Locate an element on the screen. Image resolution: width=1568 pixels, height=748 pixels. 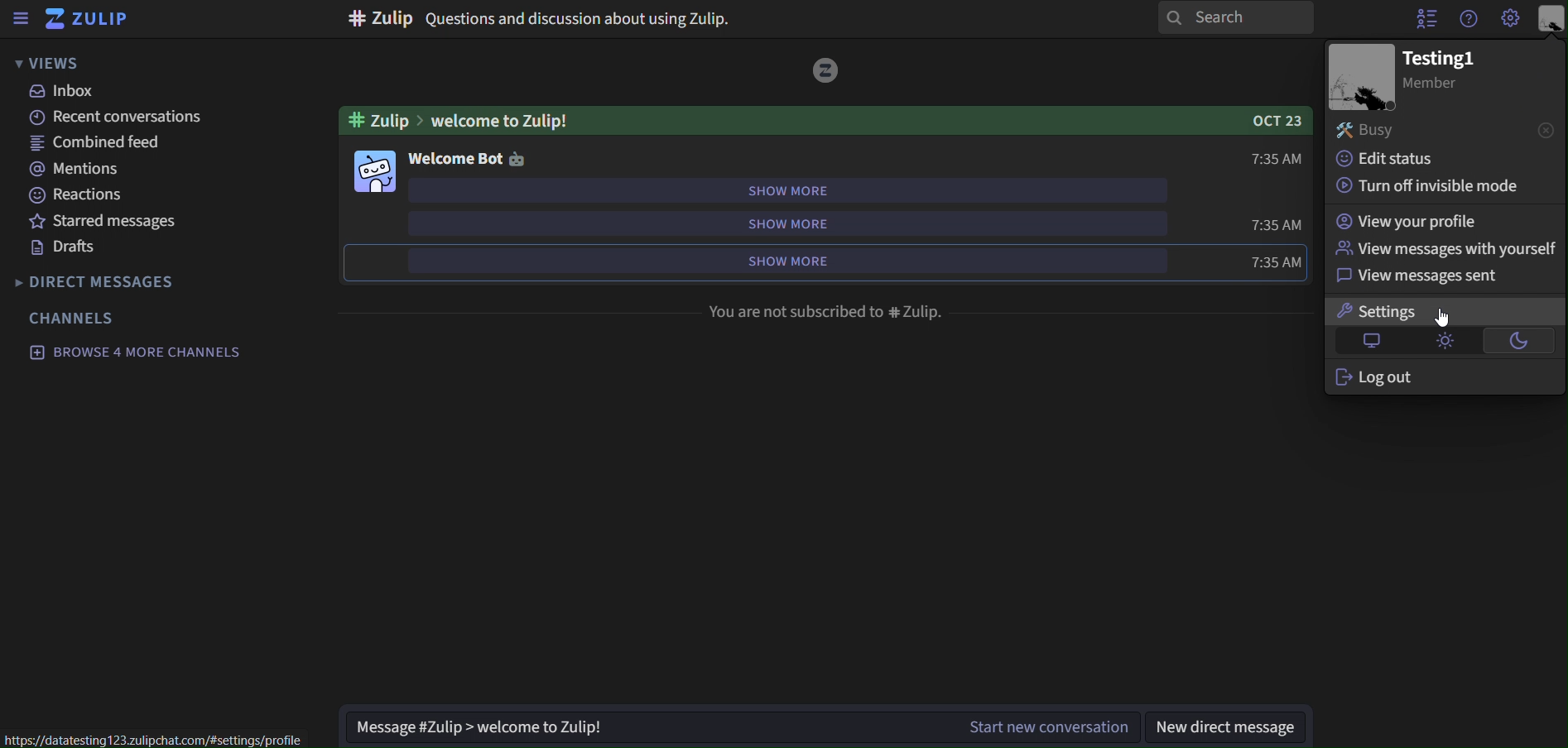
channels is located at coordinates (75, 318).